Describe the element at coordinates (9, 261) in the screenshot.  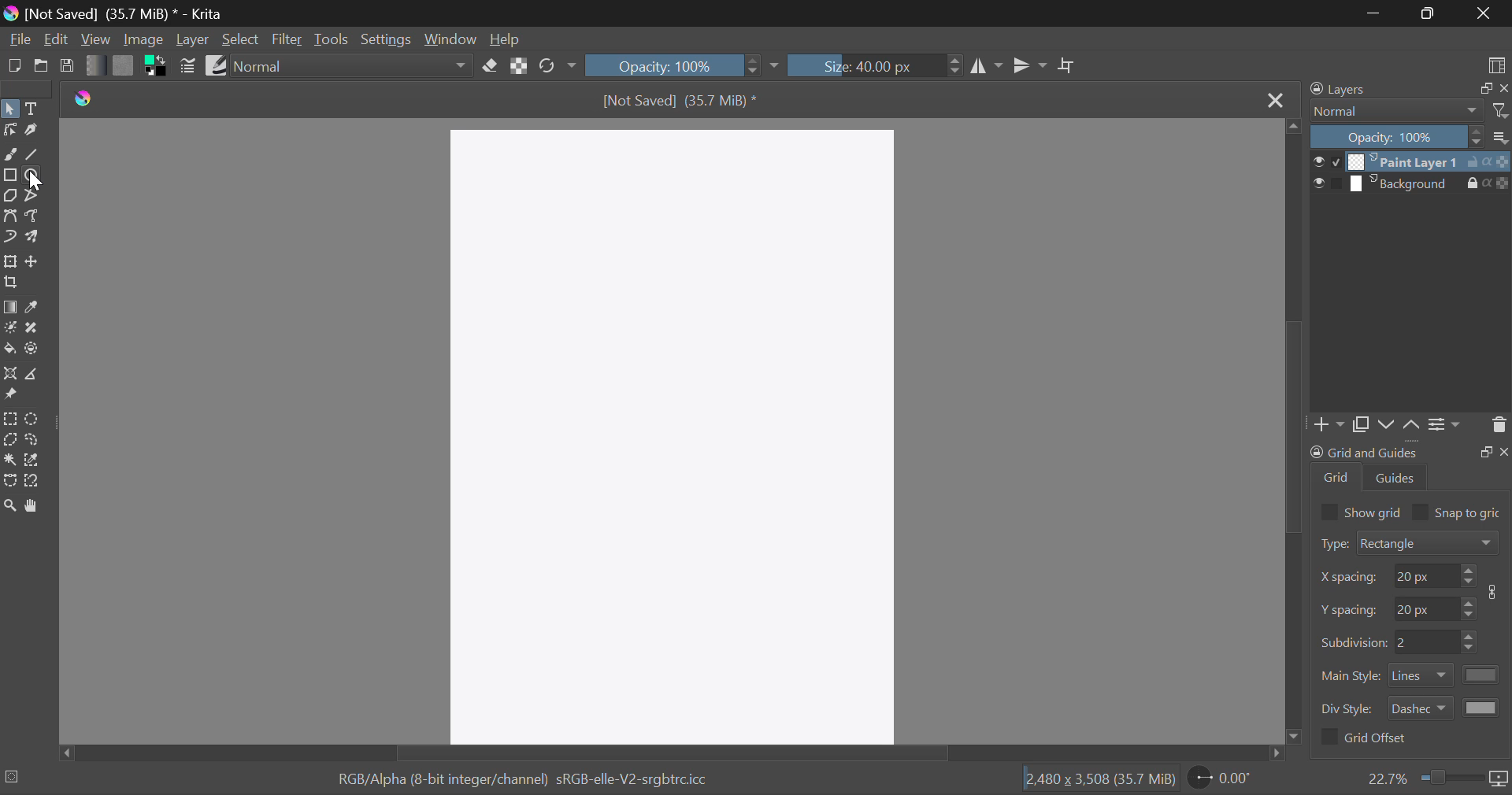
I see `Transform Layer` at that location.